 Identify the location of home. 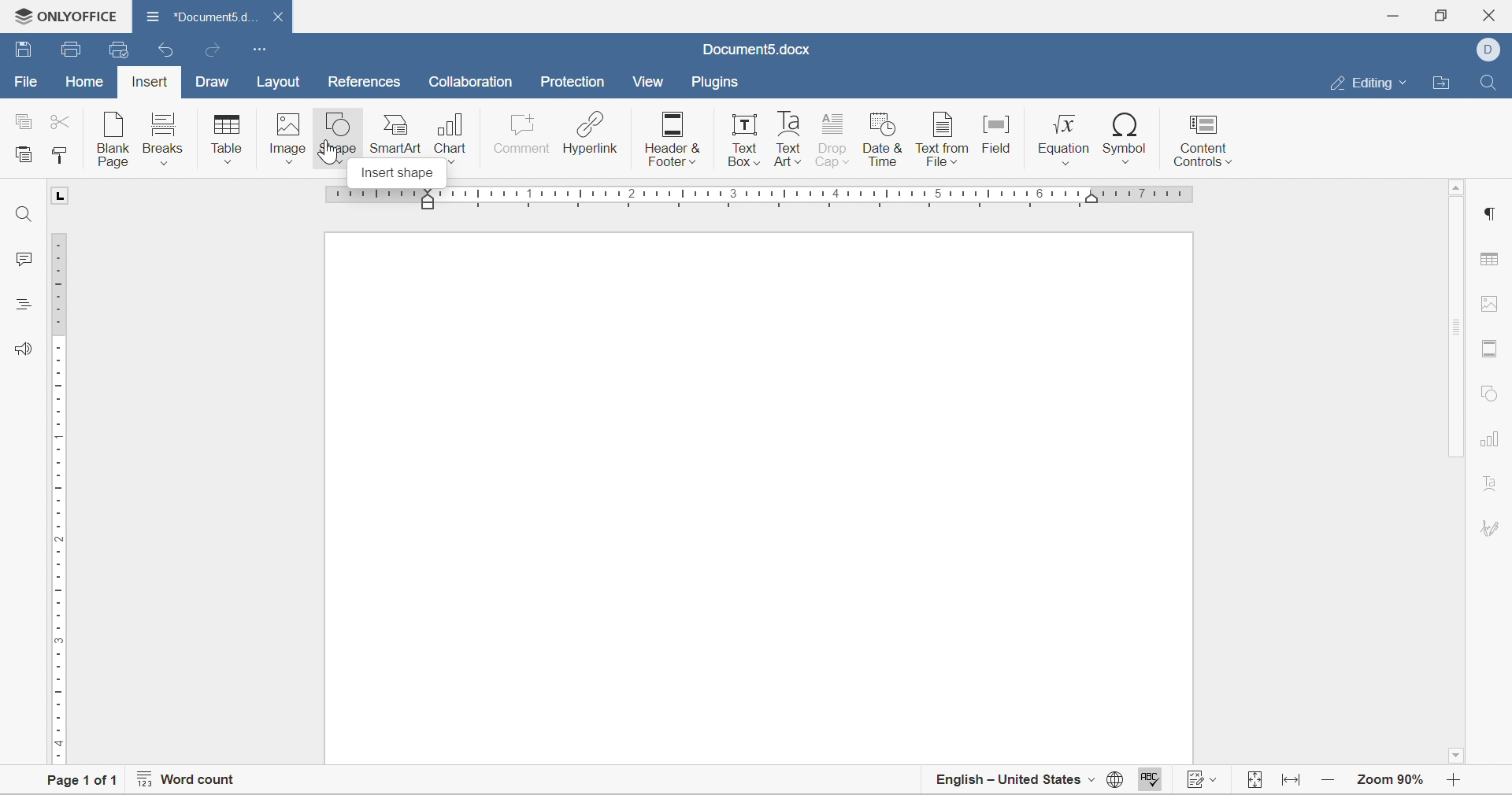
(83, 82).